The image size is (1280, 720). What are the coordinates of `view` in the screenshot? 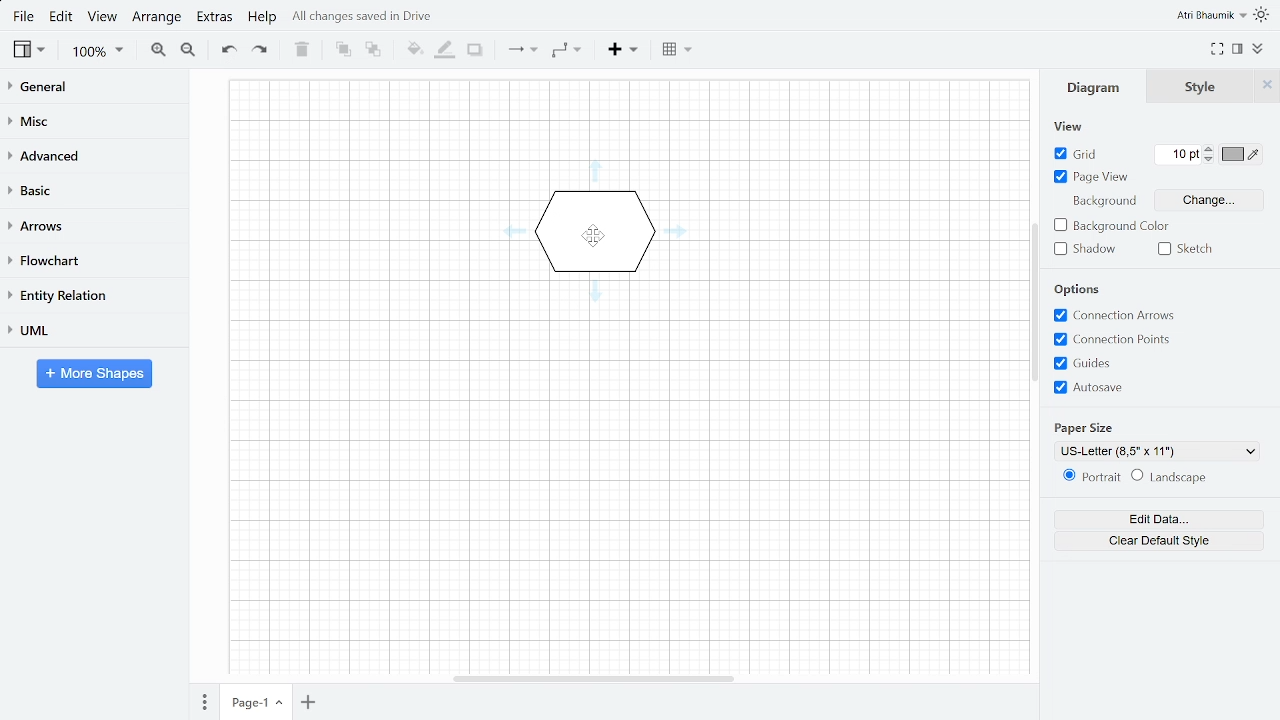 It's located at (29, 51).